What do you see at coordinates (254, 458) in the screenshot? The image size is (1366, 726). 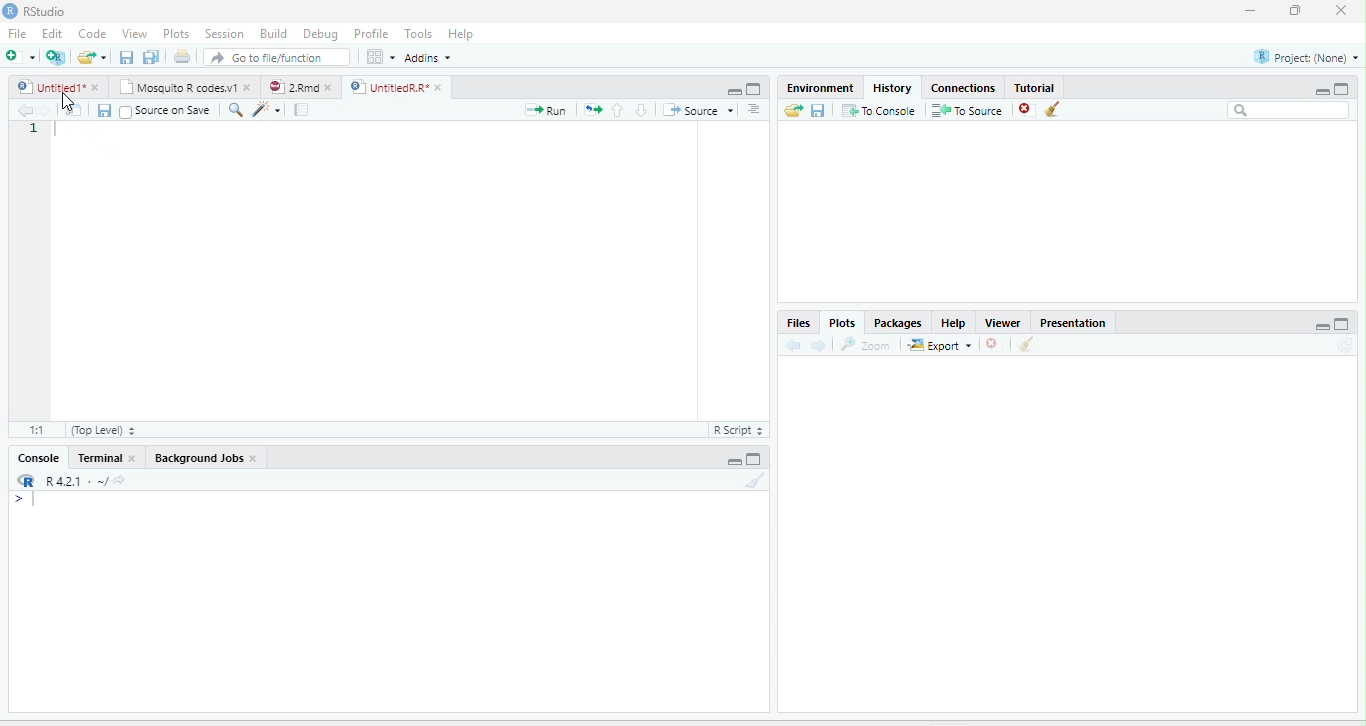 I see `close` at bounding box center [254, 458].